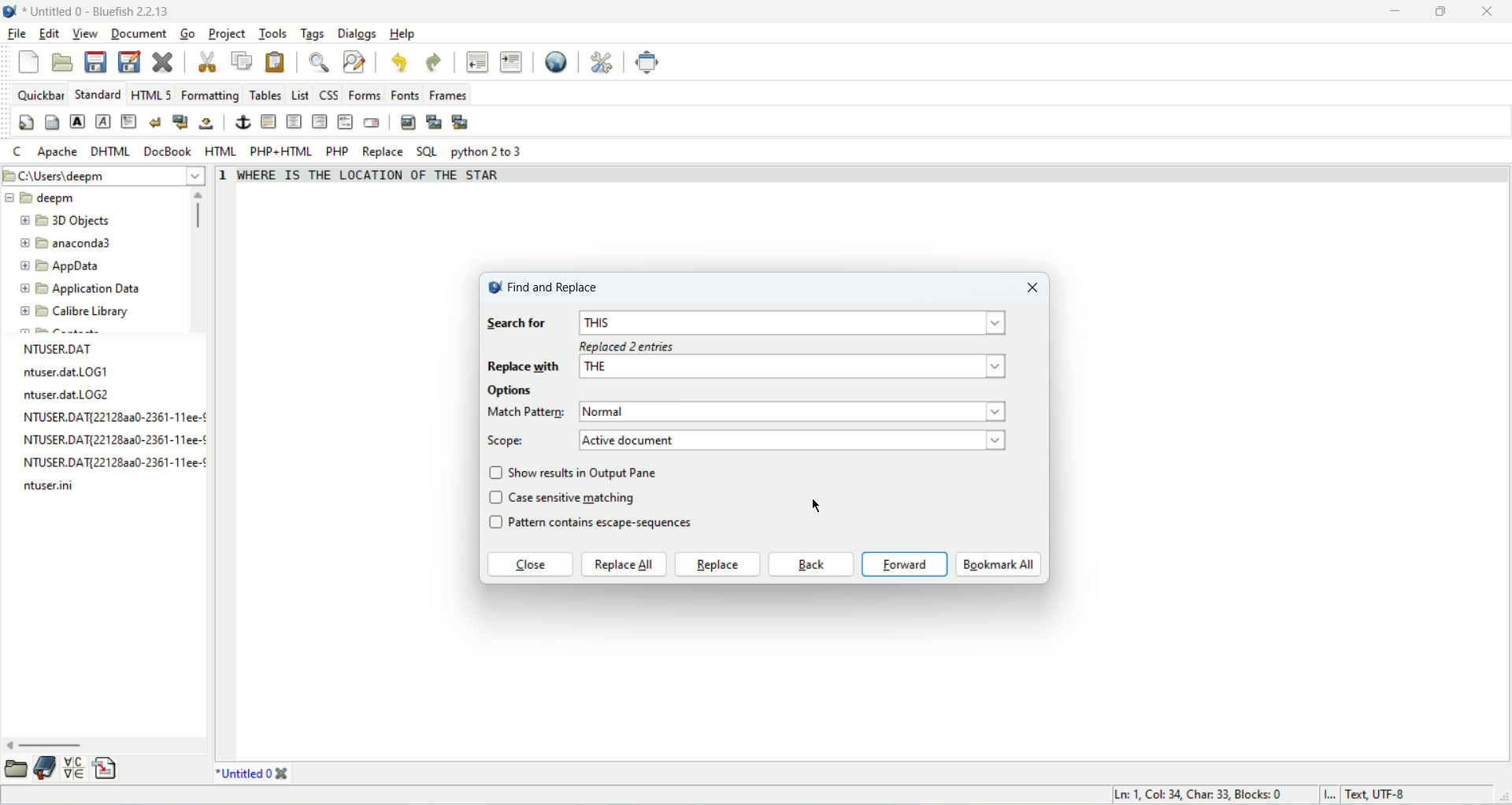 The height and width of the screenshot is (805, 1512). What do you see at coordinates (301, 95) in the screenshot?
I see `list` at bounding box center [301, 95].